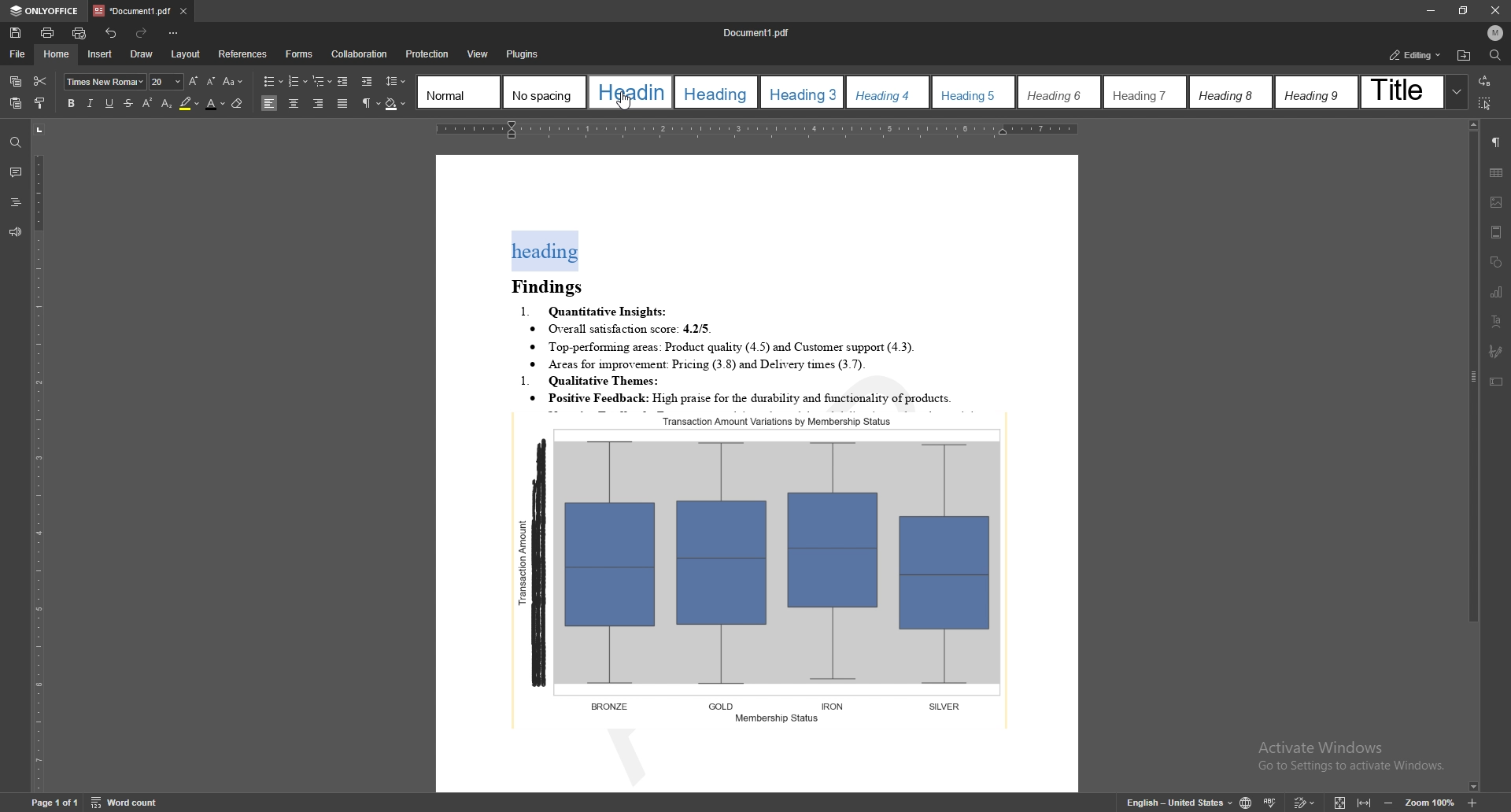  Describe the element at coordinates (131, 10) in the screenshot. I see `tab` at that location.